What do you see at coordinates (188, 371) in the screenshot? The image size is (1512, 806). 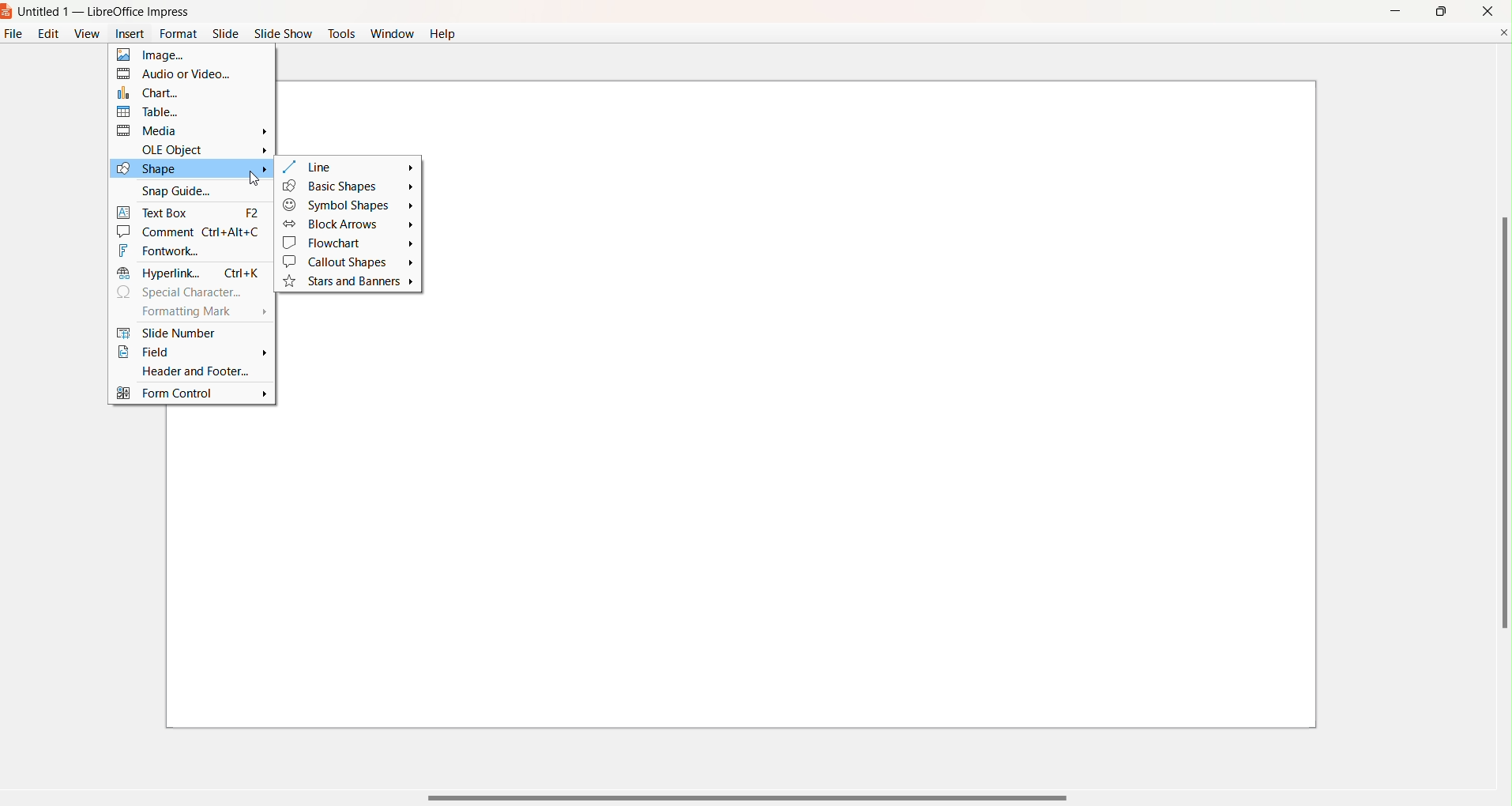 I see `Header and Footer` at bounding box center [188, 371].